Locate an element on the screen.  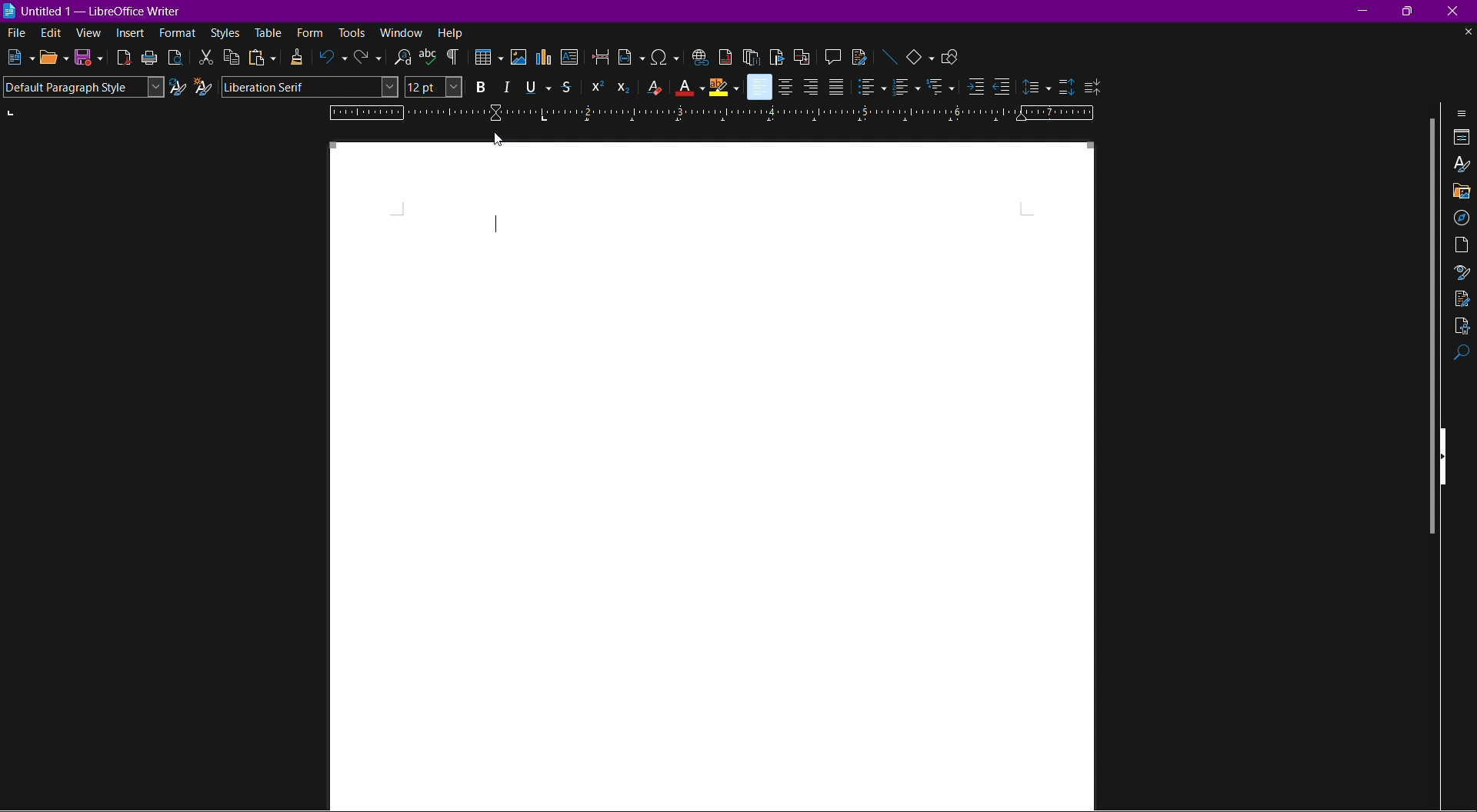
cursor is located at coordinates (500, 139).